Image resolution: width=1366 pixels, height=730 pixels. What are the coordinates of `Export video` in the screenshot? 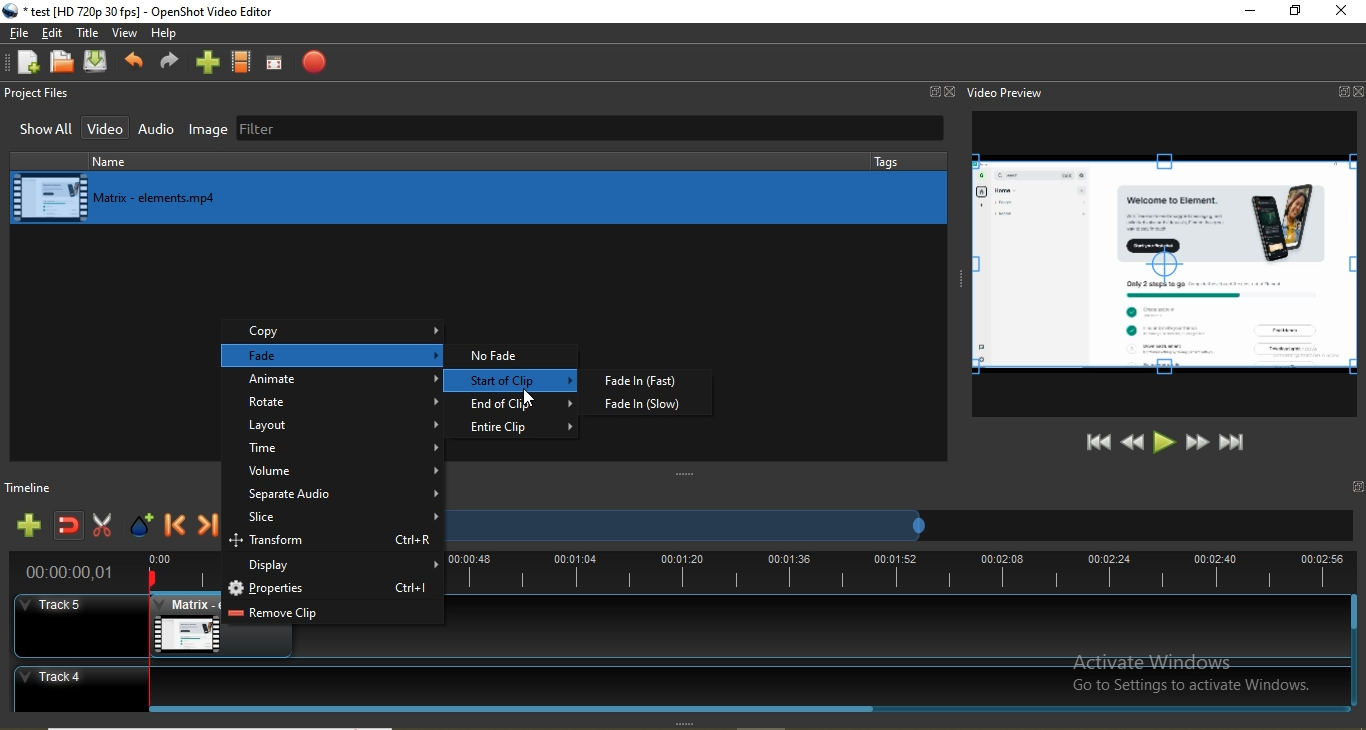 It's located at (310, 62).